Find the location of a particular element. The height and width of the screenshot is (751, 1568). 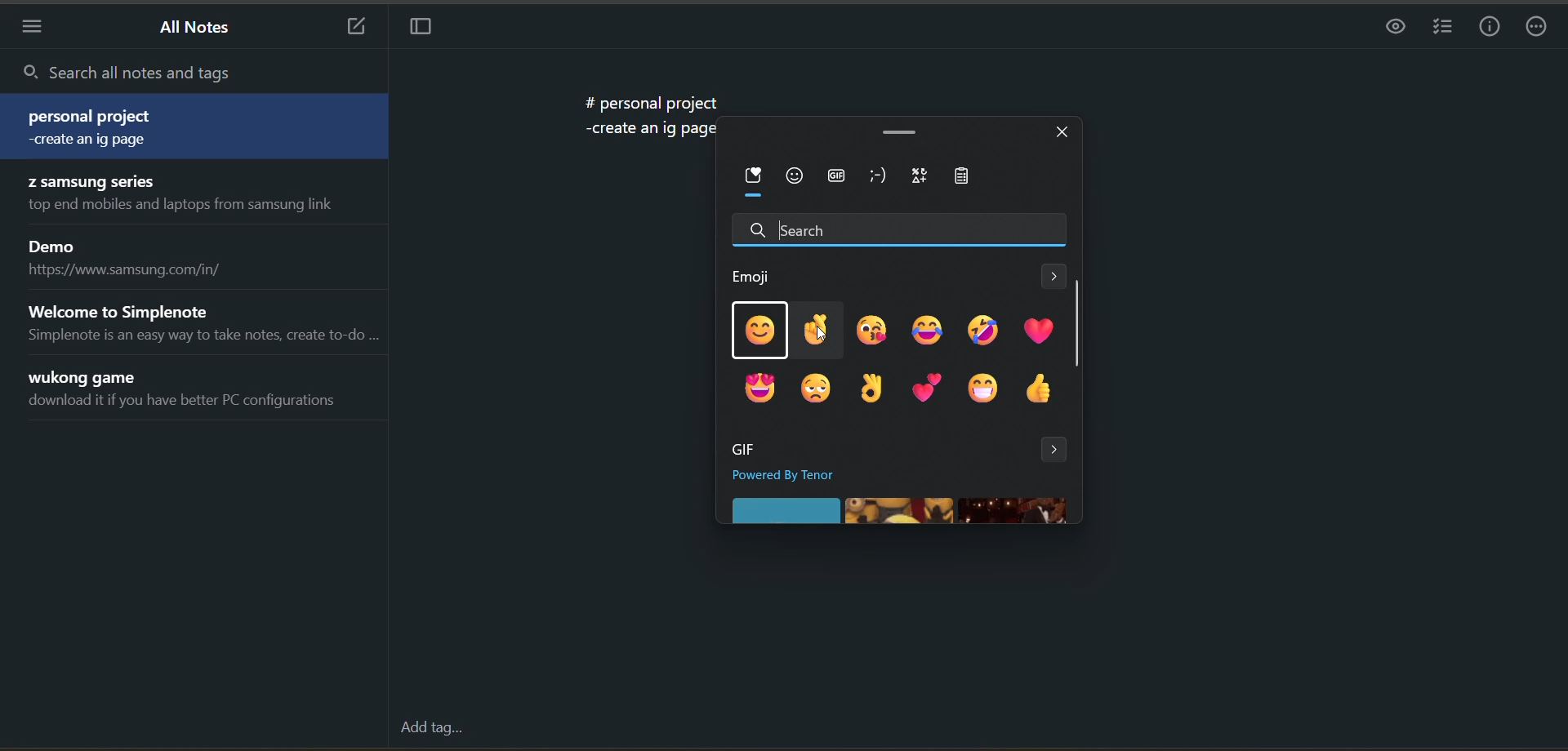

emoji 7 is located at coordinates (762, 391).